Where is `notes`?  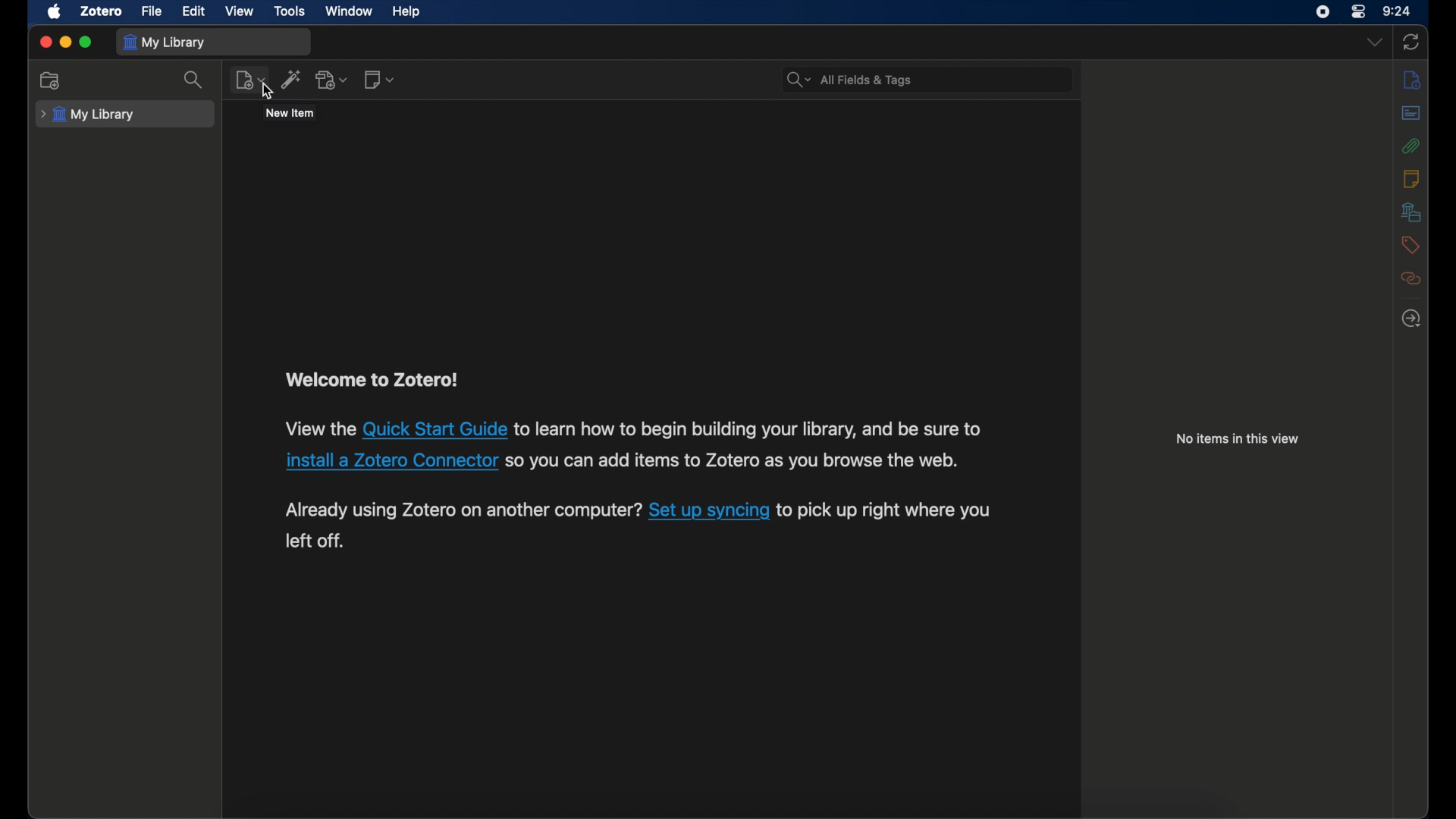 notes is located at coordinates (1411, 177).